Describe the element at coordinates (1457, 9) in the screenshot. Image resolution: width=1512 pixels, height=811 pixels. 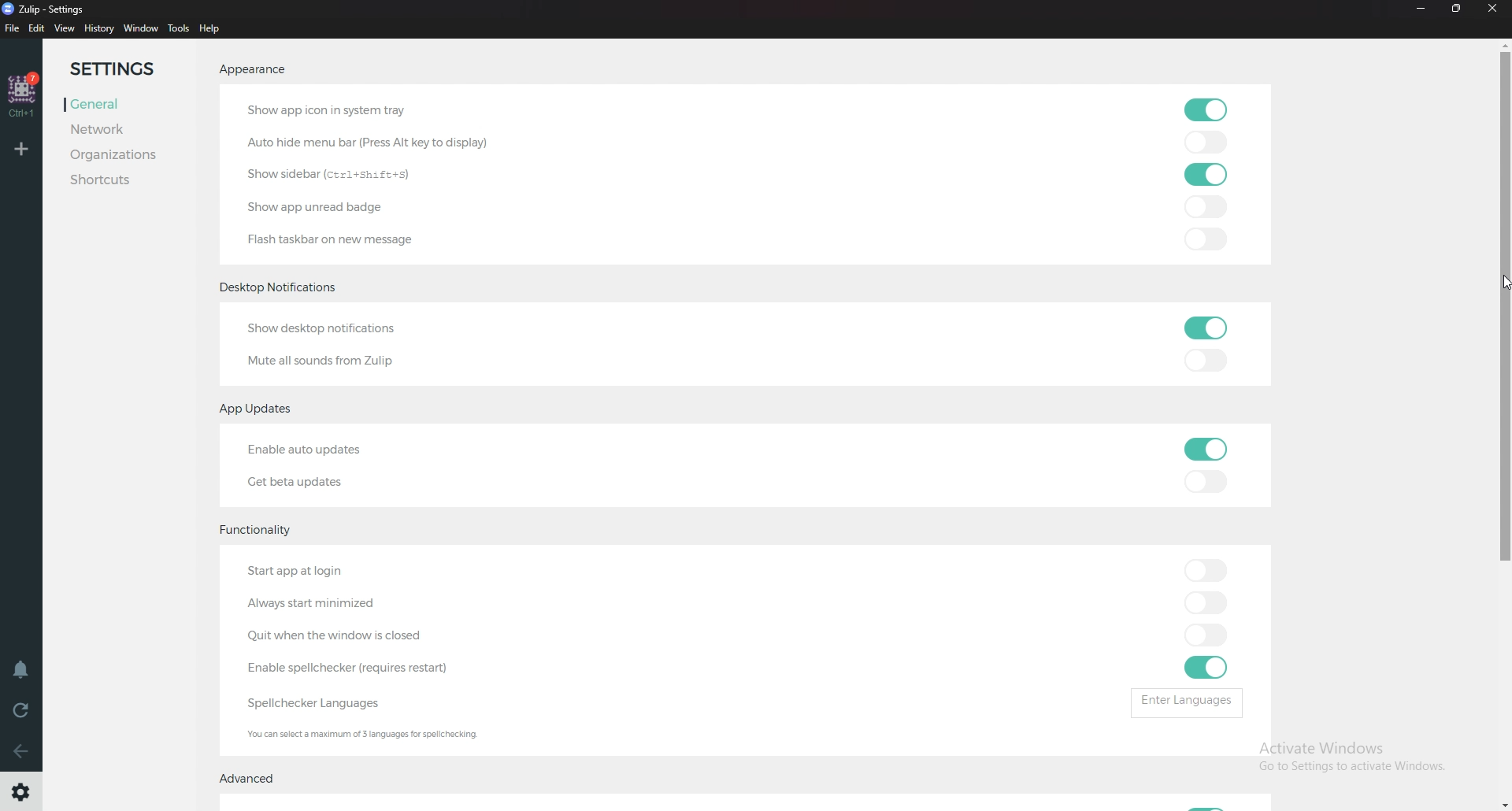
I see `resize` at that location.